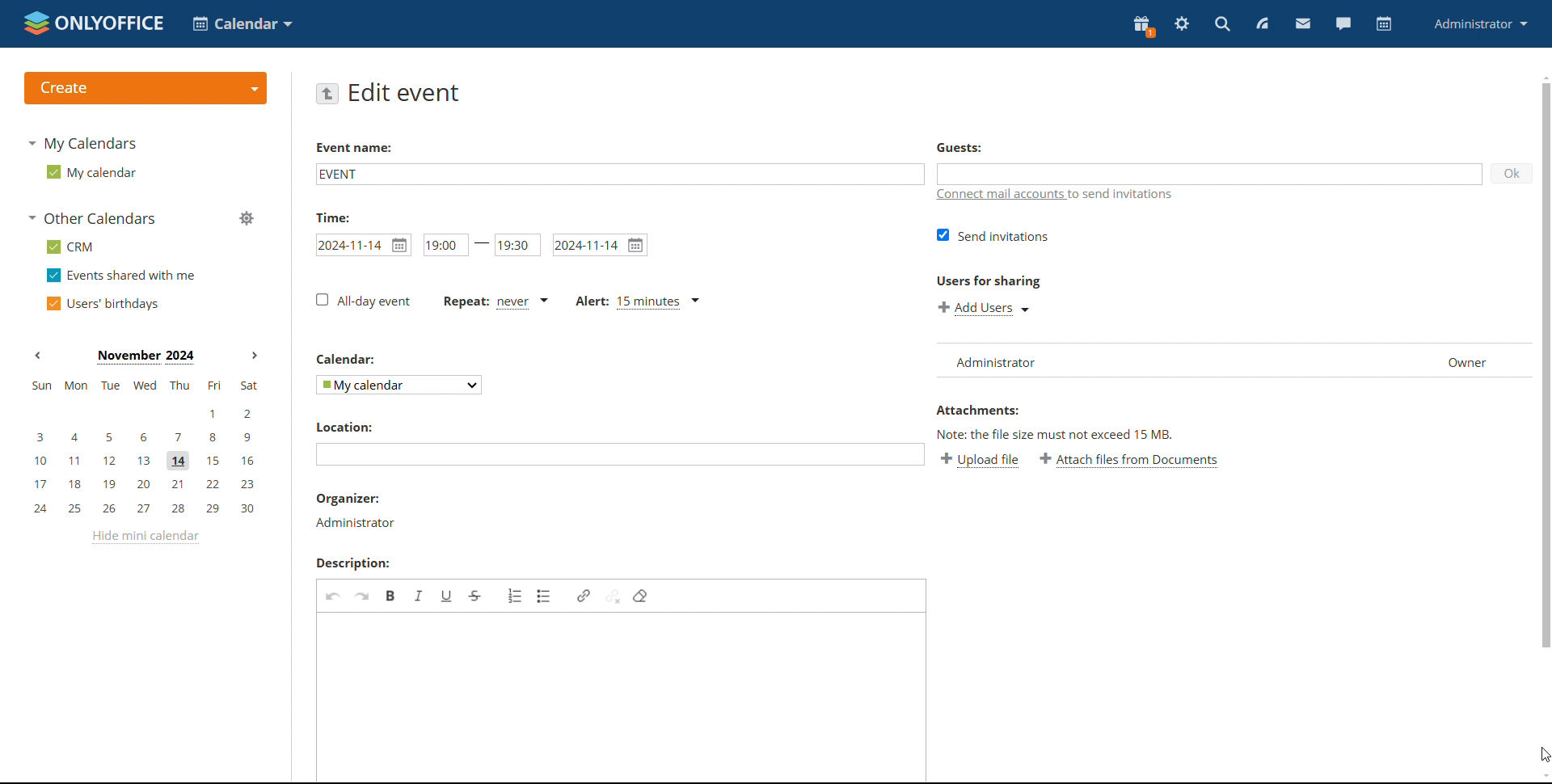 Image resolution: width=1552 pixels, height=784 pixels. What do you see at coordinates (362, 596) in the screenshot?
I see `redo` at bounding box center [362, 596].